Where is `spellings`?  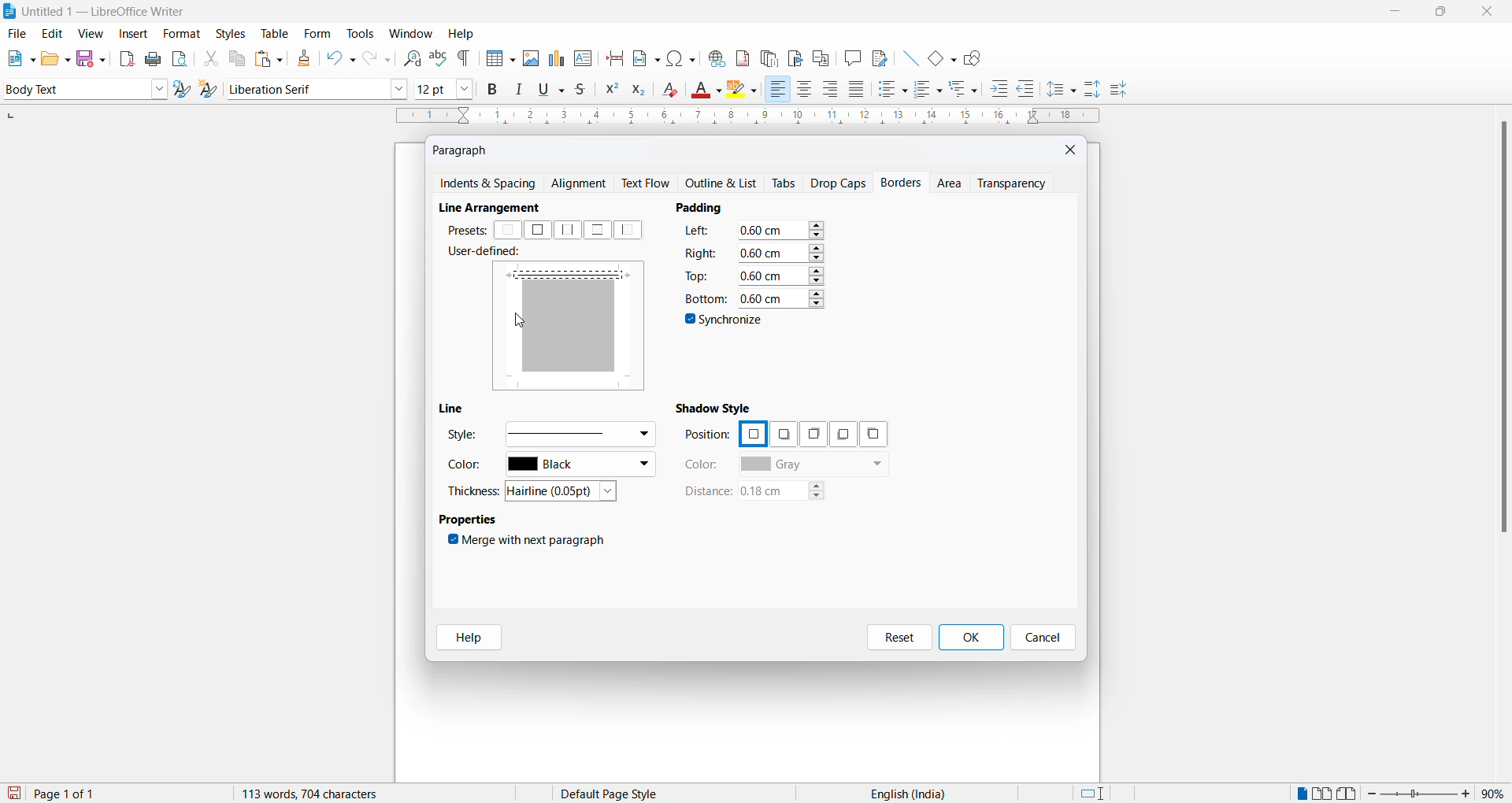 spellings is located at coordinates (438, 57).